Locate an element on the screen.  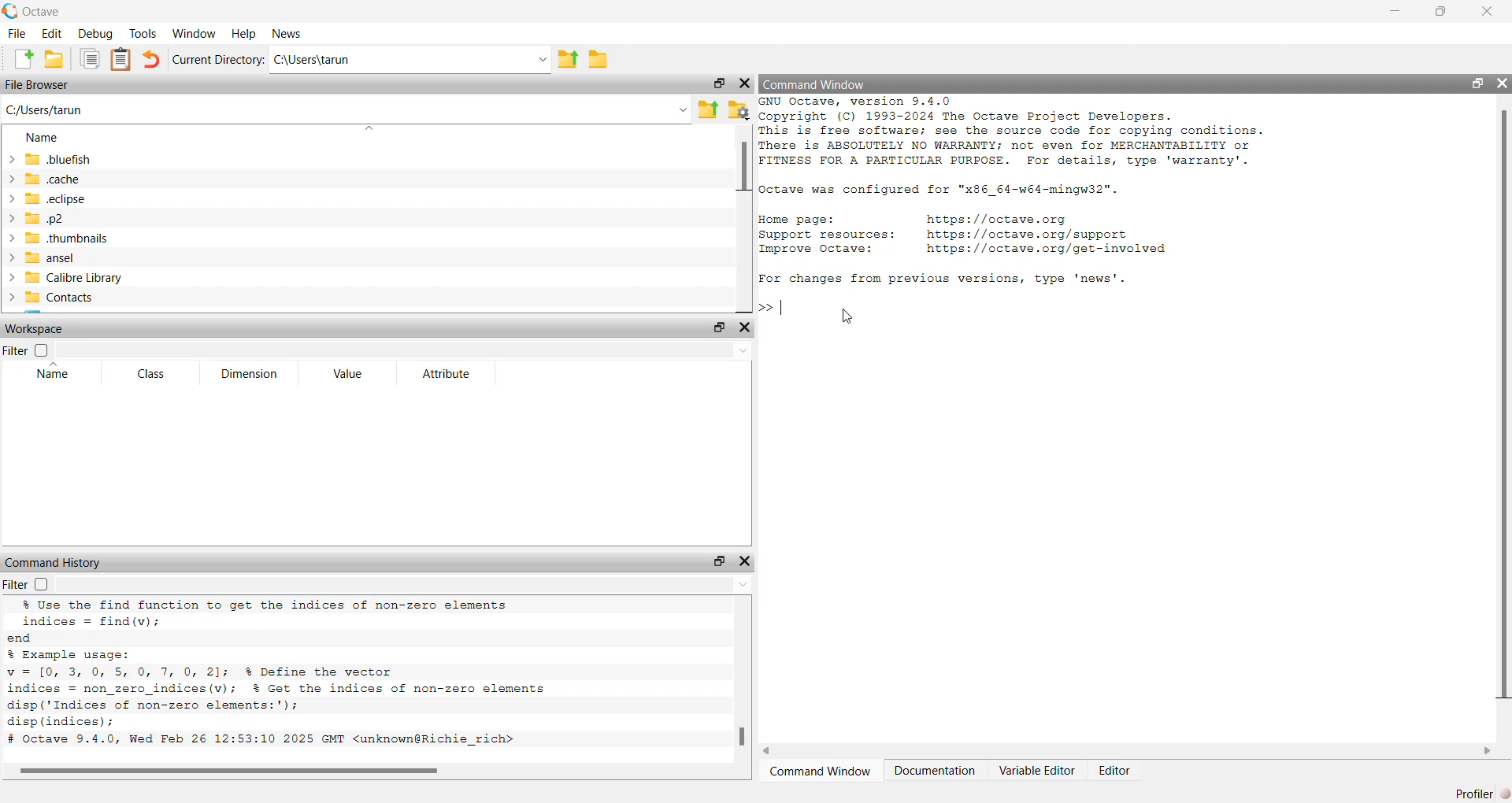
C:/Users/tarun is located at coordinates (346, 111).